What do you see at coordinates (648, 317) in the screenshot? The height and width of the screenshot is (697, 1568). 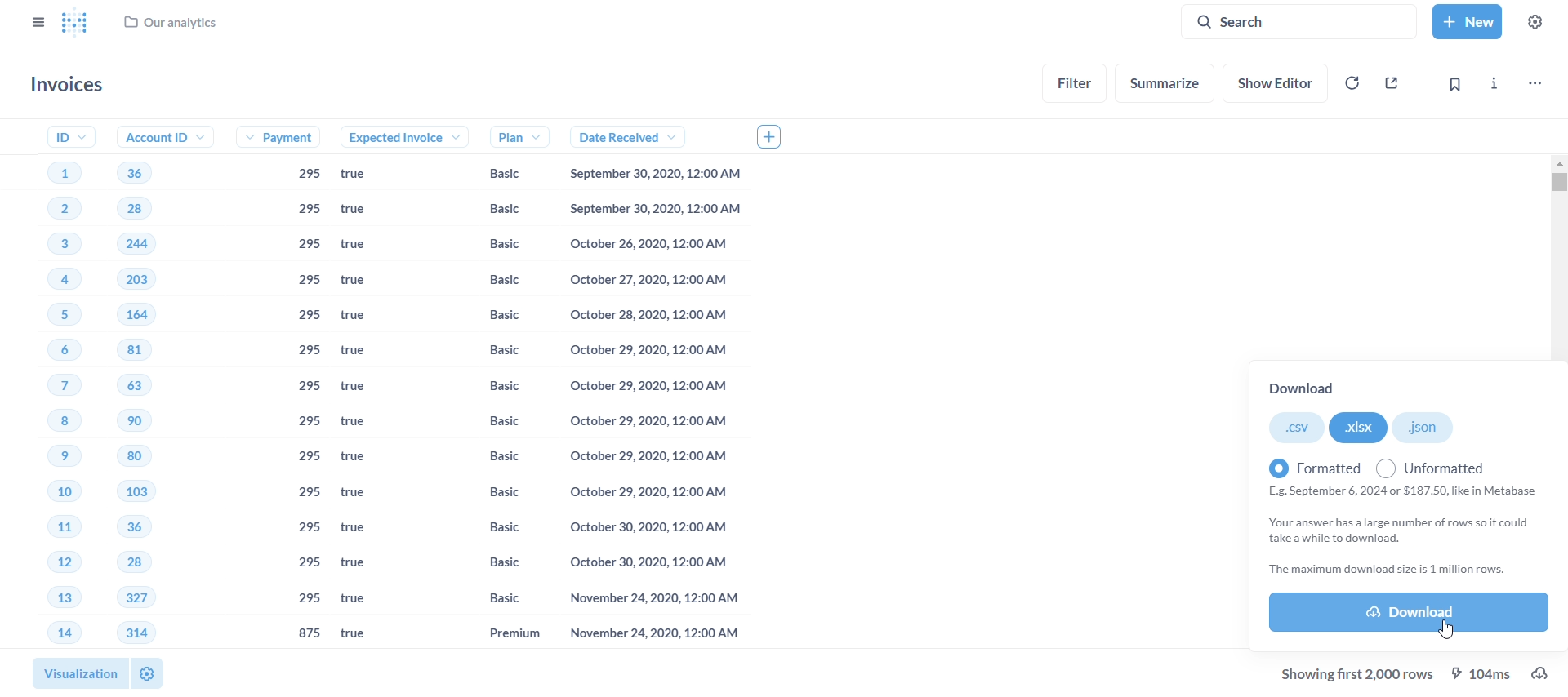 I see `October 28, 2020, 12:00 AM` at bounding box center [648, 317].